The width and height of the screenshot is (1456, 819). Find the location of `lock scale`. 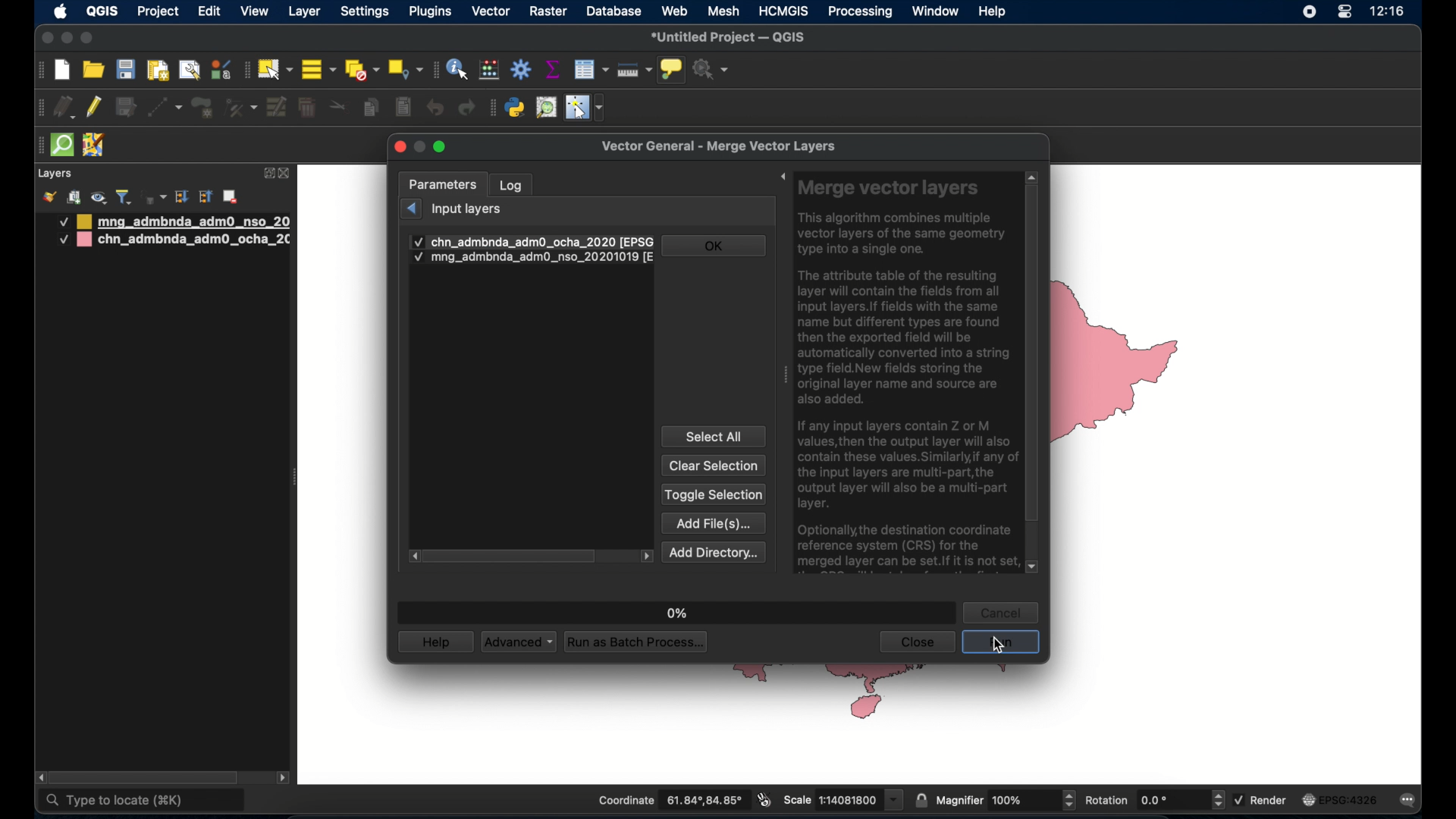

lock scale is located at coordinates (921, 799).